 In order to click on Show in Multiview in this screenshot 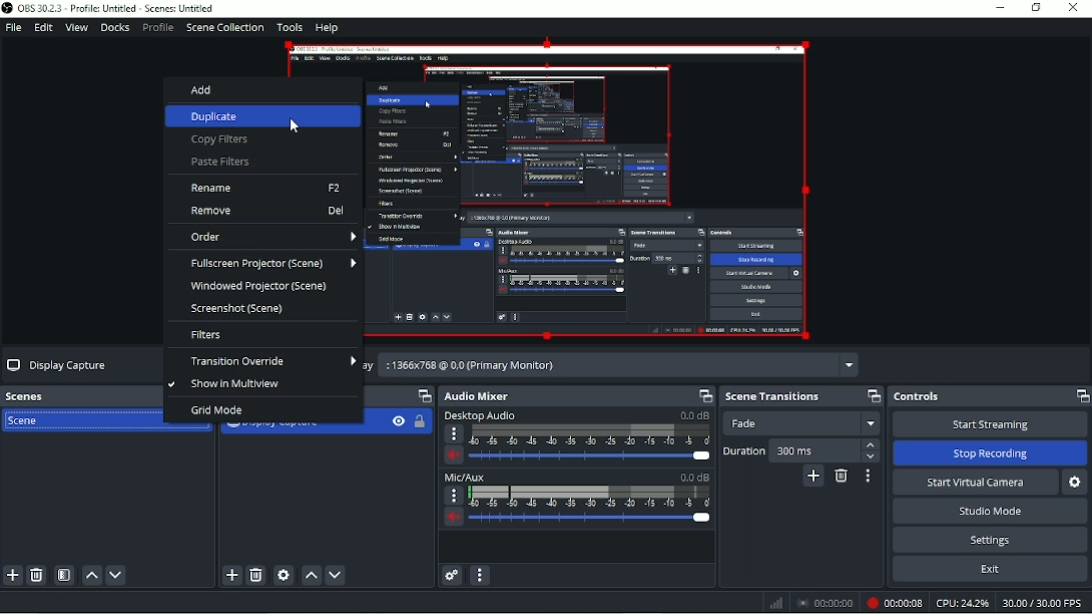, I will do `click(223, 384)`.